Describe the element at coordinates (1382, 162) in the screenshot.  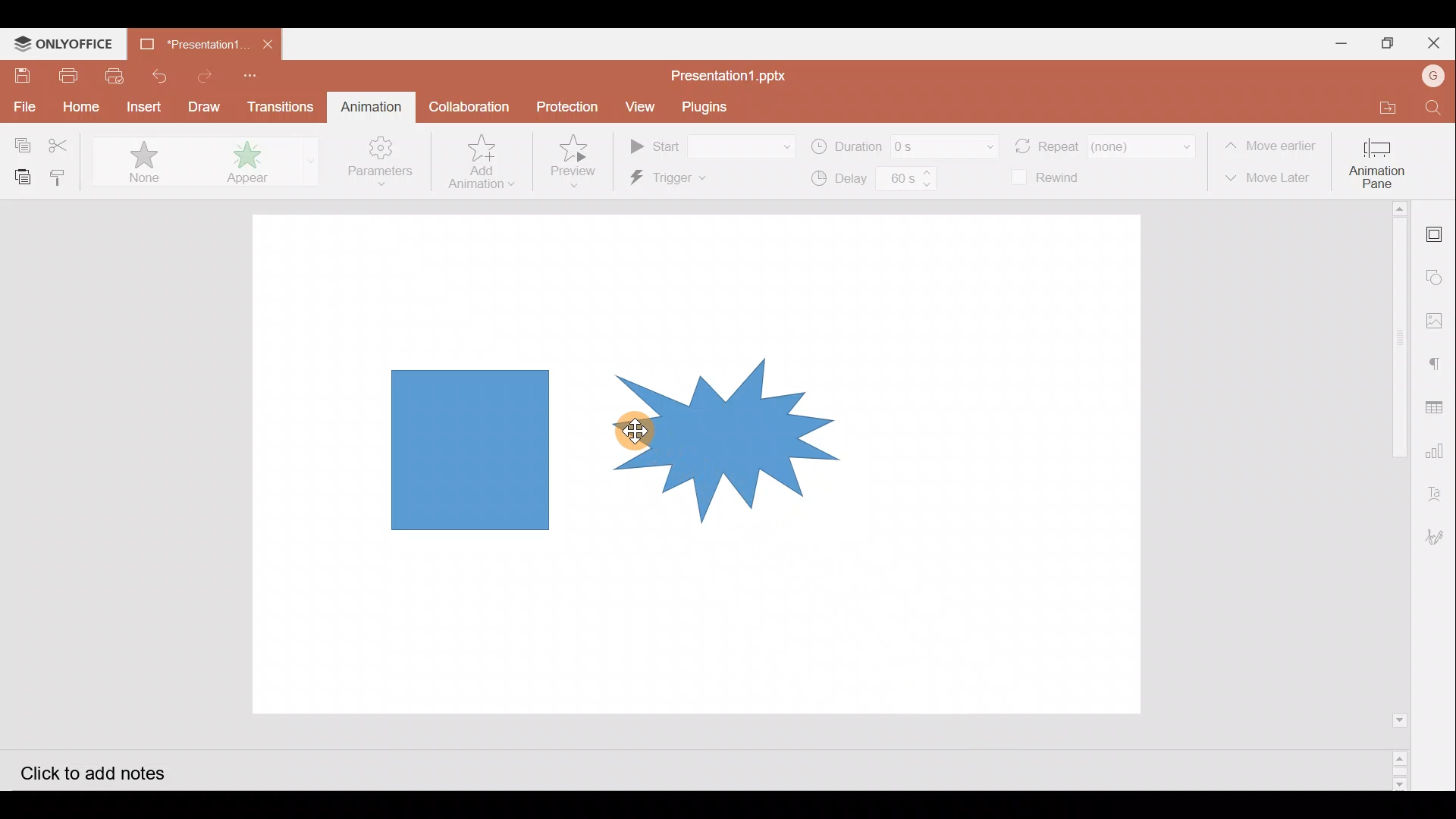
I see `Animation pane` at that location.